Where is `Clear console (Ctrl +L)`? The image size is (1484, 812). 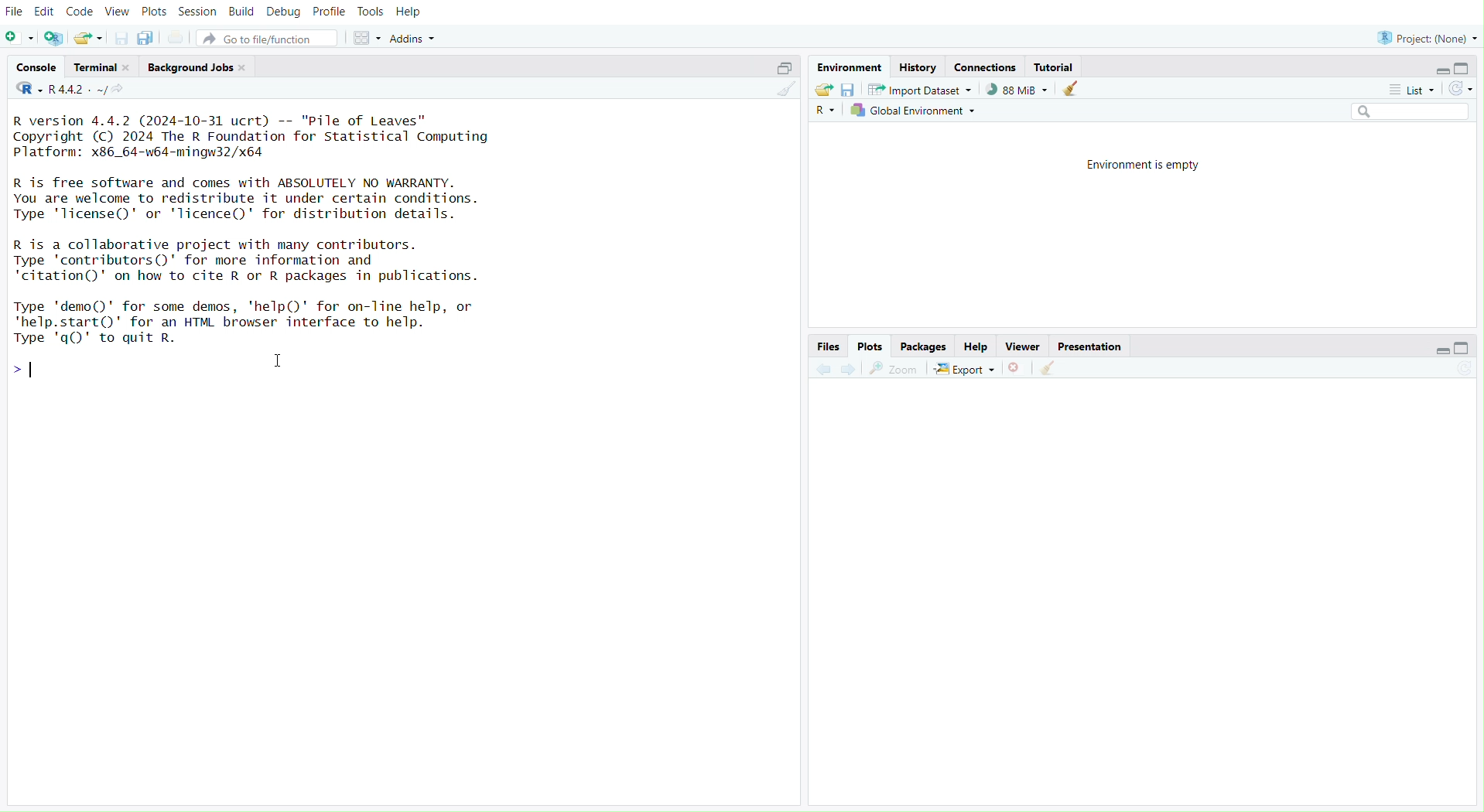
Clear console (Ctrl +L) is located at coordinates (1054, 367).